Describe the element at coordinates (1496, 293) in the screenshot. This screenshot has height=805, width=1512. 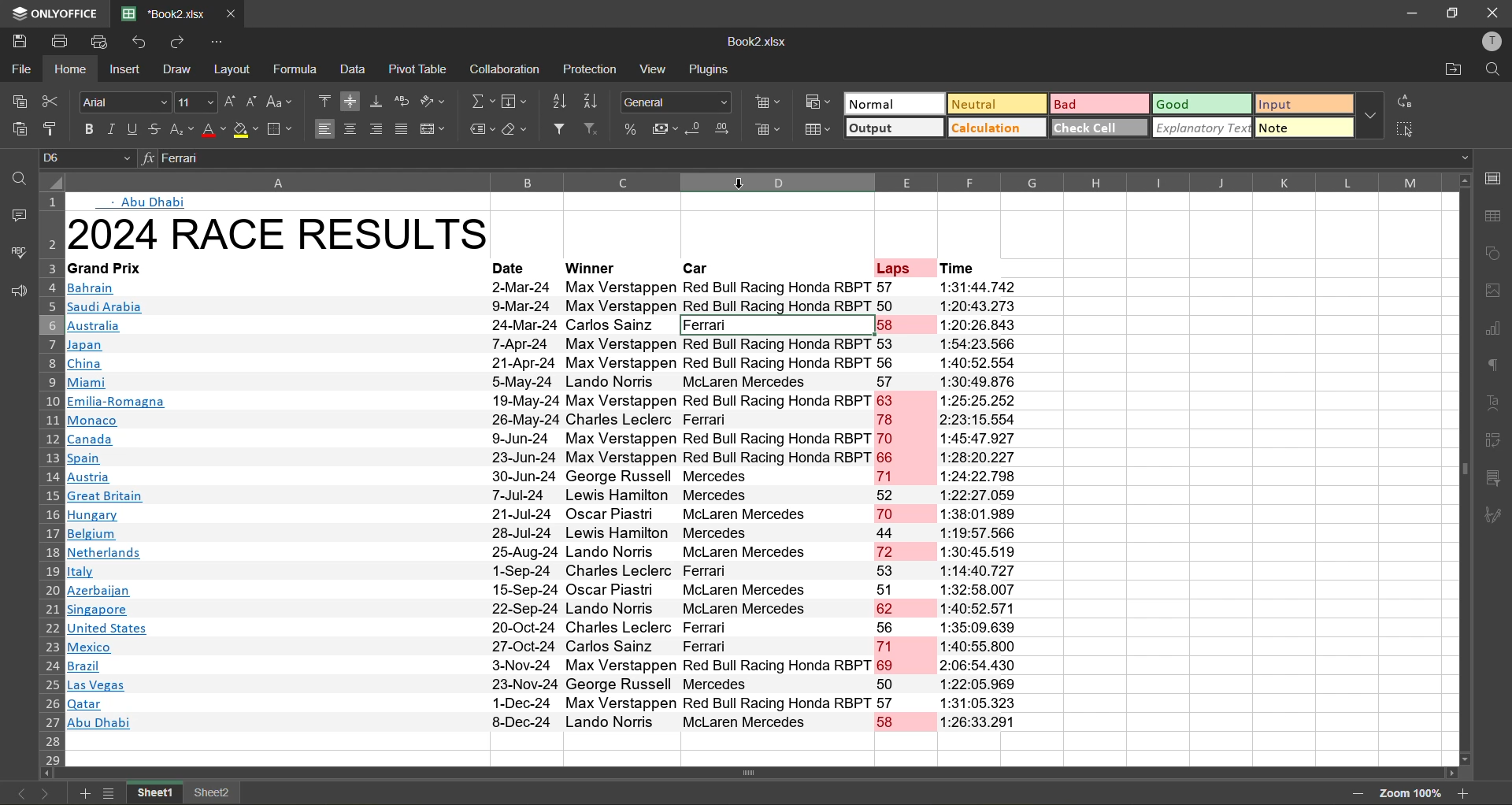
I see `images` at that location.